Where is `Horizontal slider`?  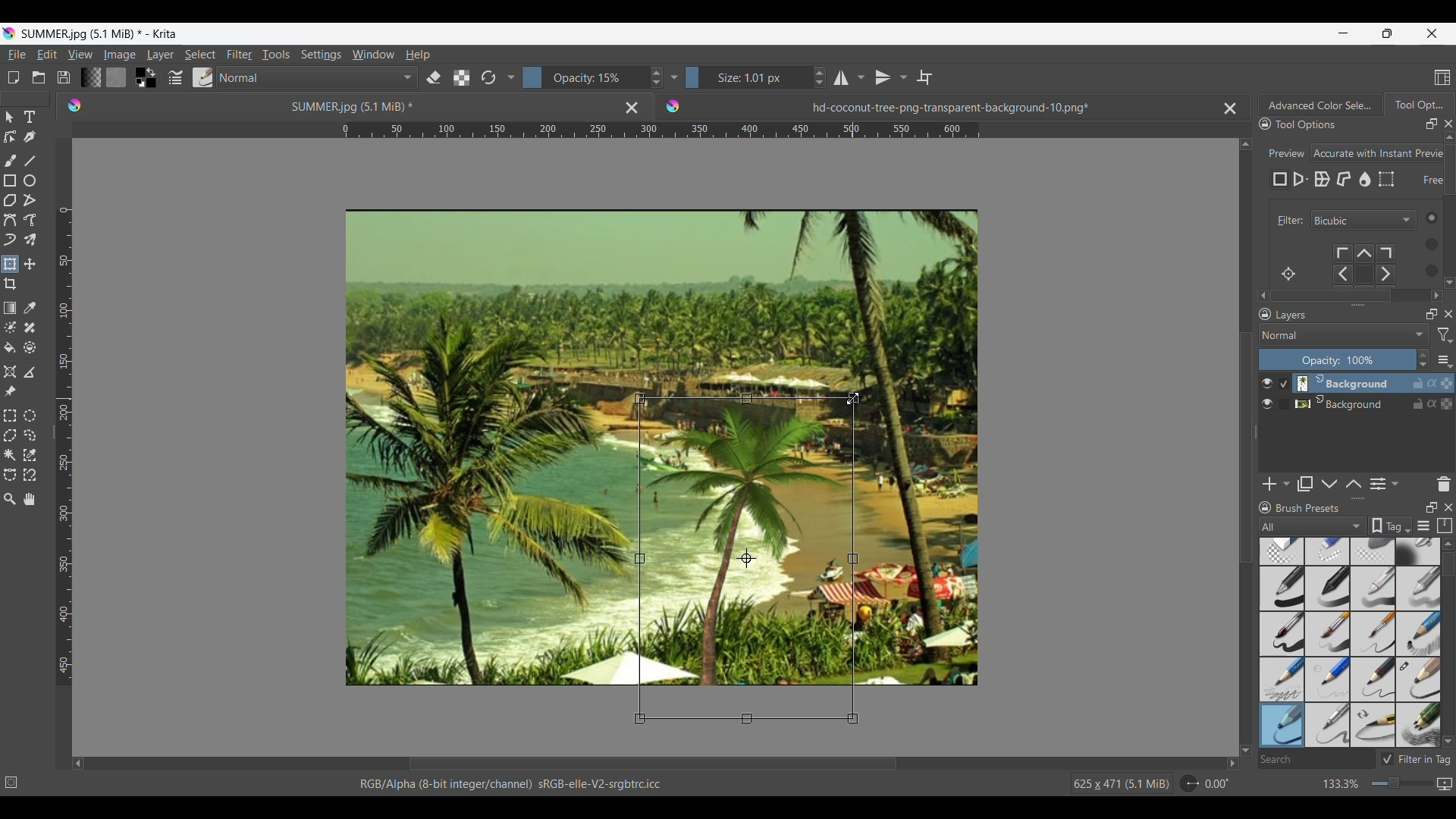
Horizontal slider is located at coordinates (653, 764).